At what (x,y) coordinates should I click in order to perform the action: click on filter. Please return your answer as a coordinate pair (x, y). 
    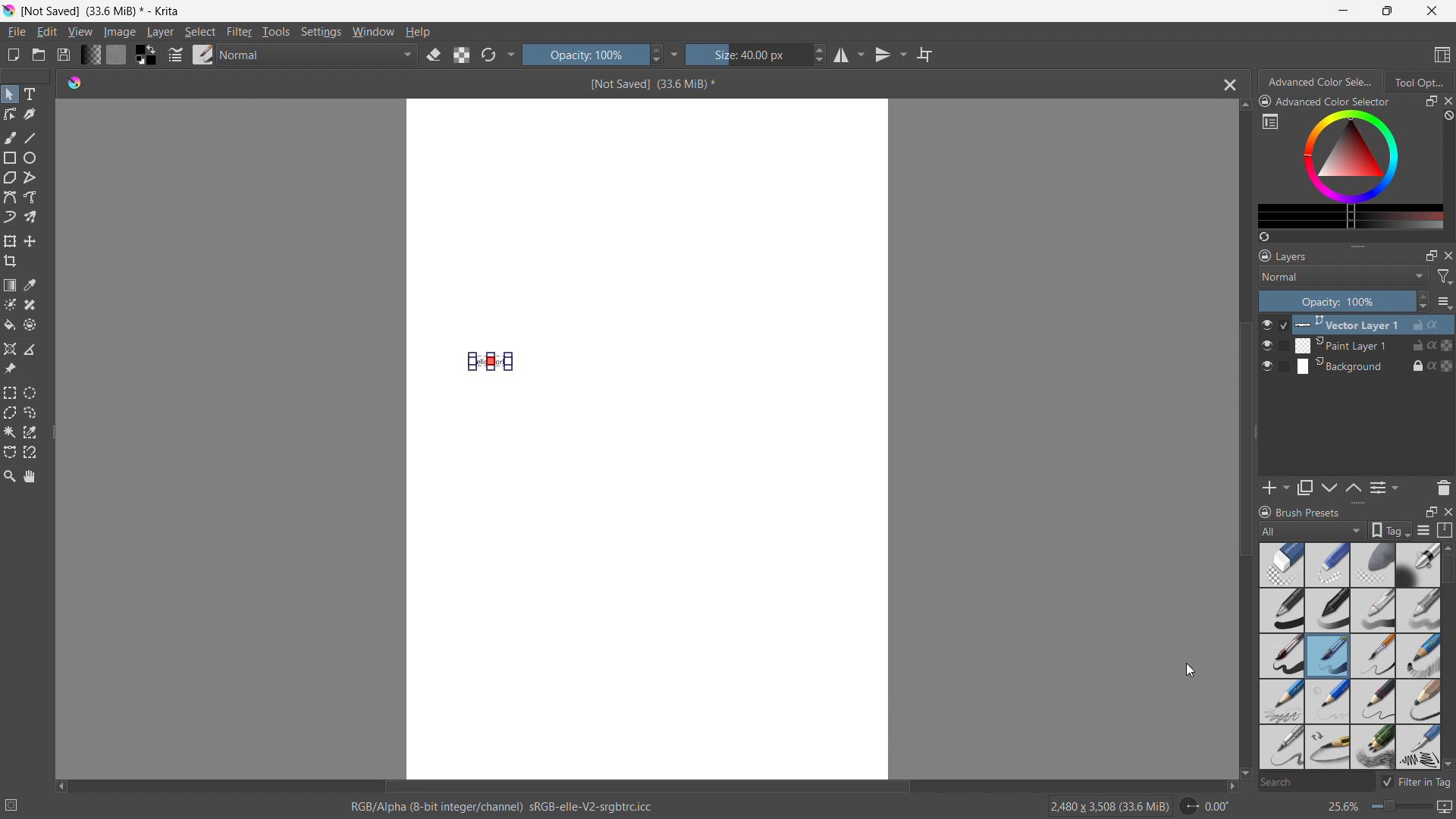
    Looking at the image, I should click on (240, 32).